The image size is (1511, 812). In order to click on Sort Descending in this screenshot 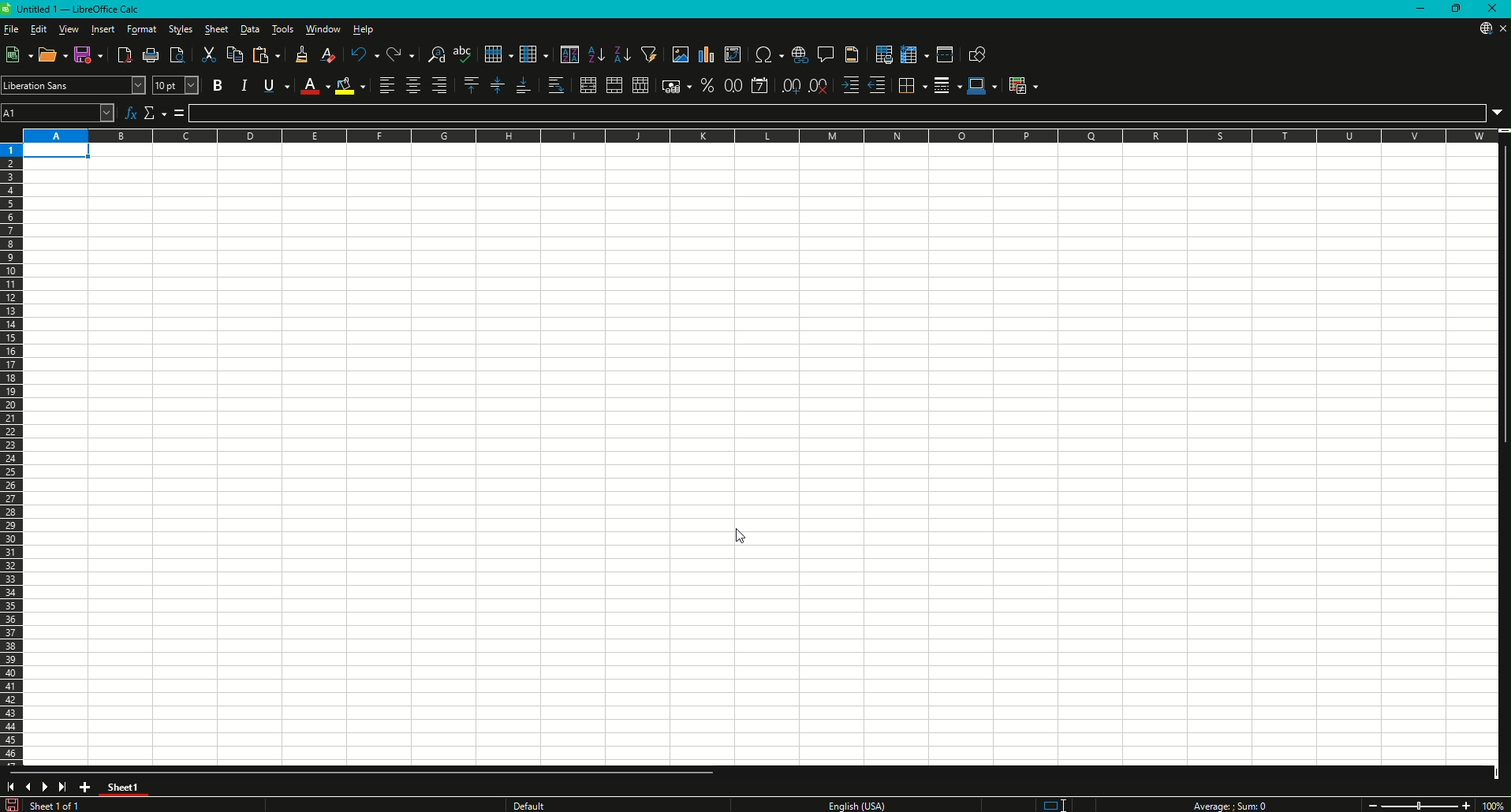, I will do `click(624, 54)`.